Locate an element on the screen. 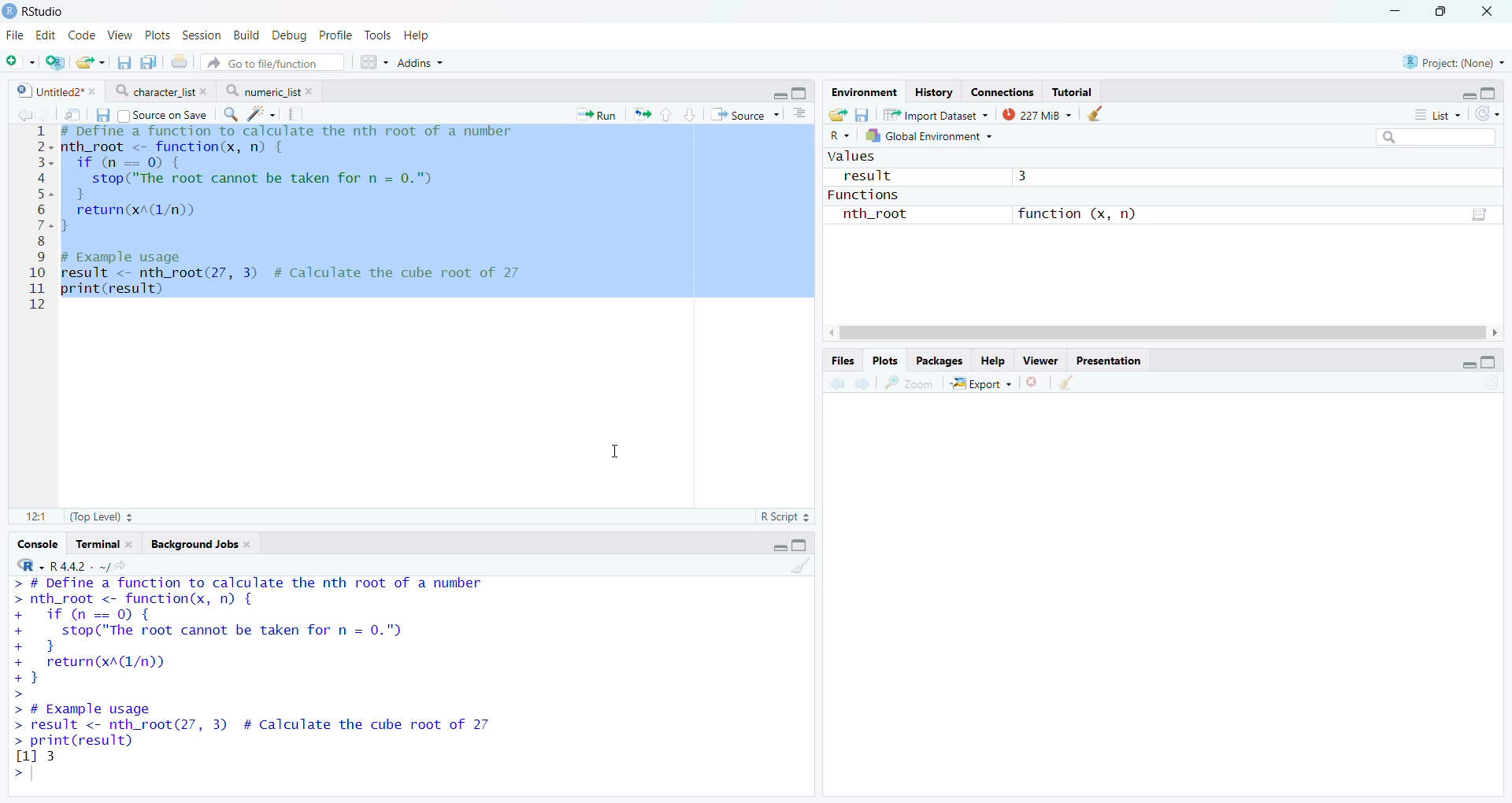 This screenshot has width=1512, height=803. function (x, n) is located at coordinates (1077, 215).